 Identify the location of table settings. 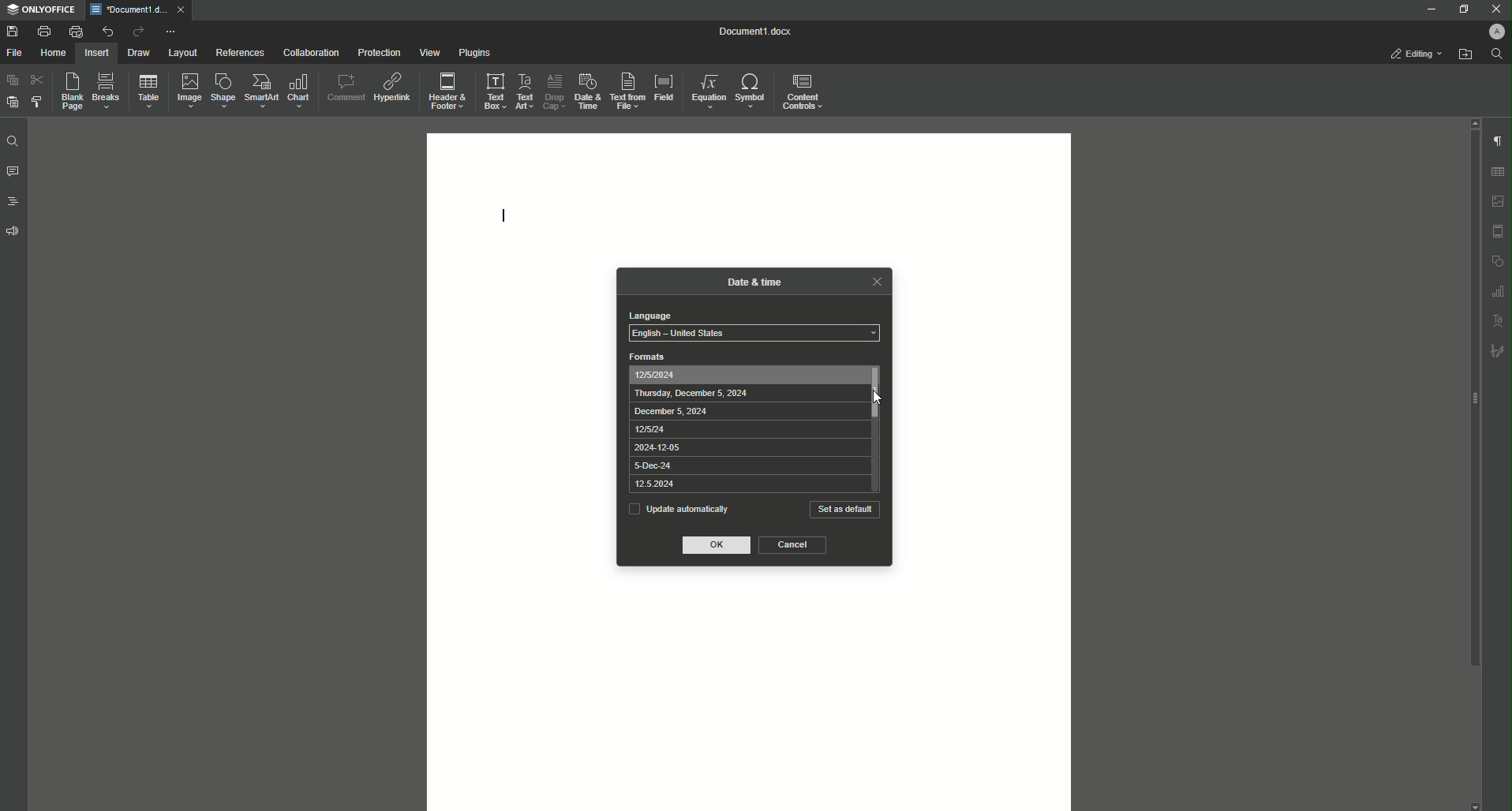
(1497, 172).